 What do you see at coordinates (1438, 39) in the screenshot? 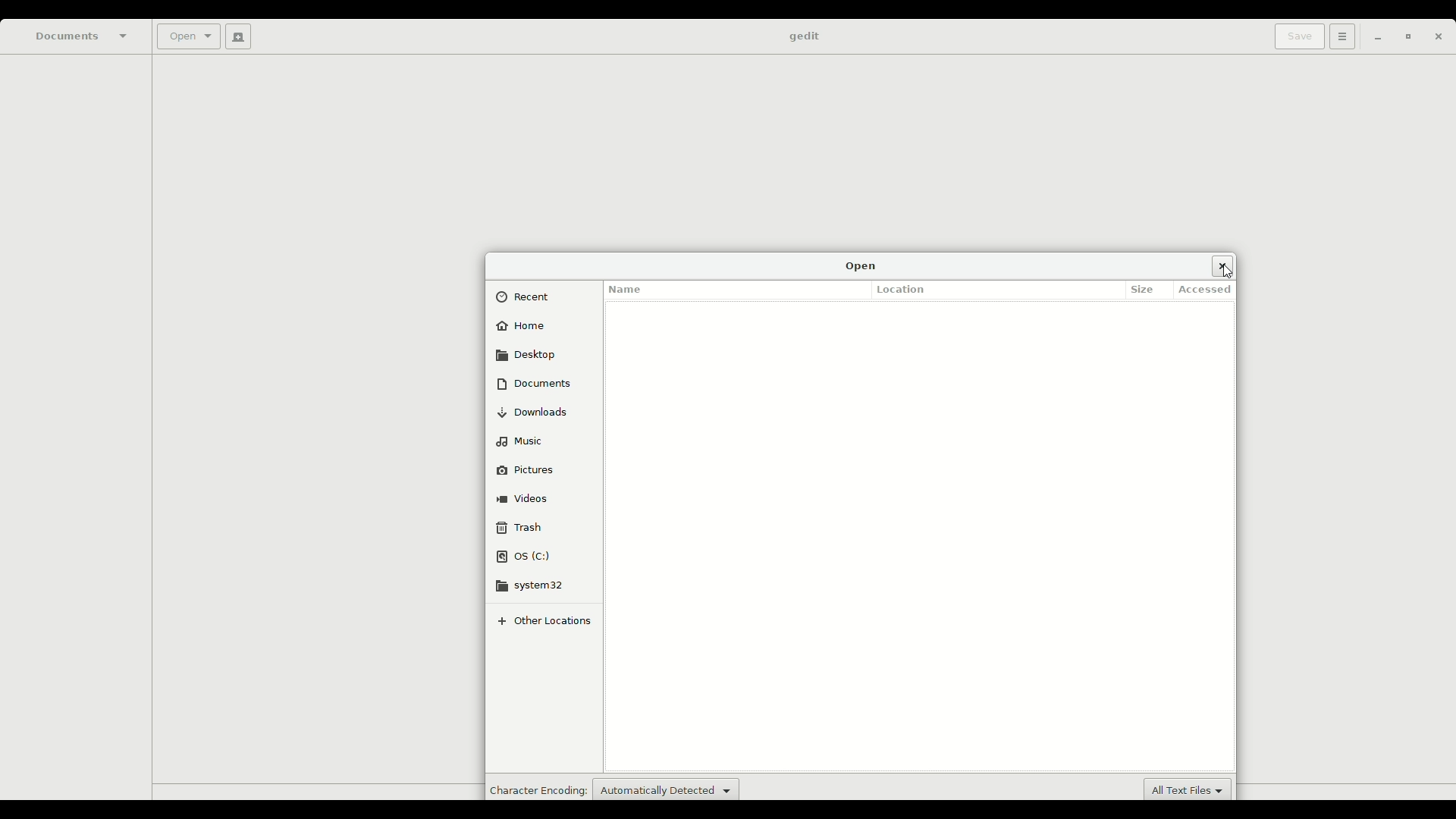
I see `Close` at bounding box center [1438, 39].